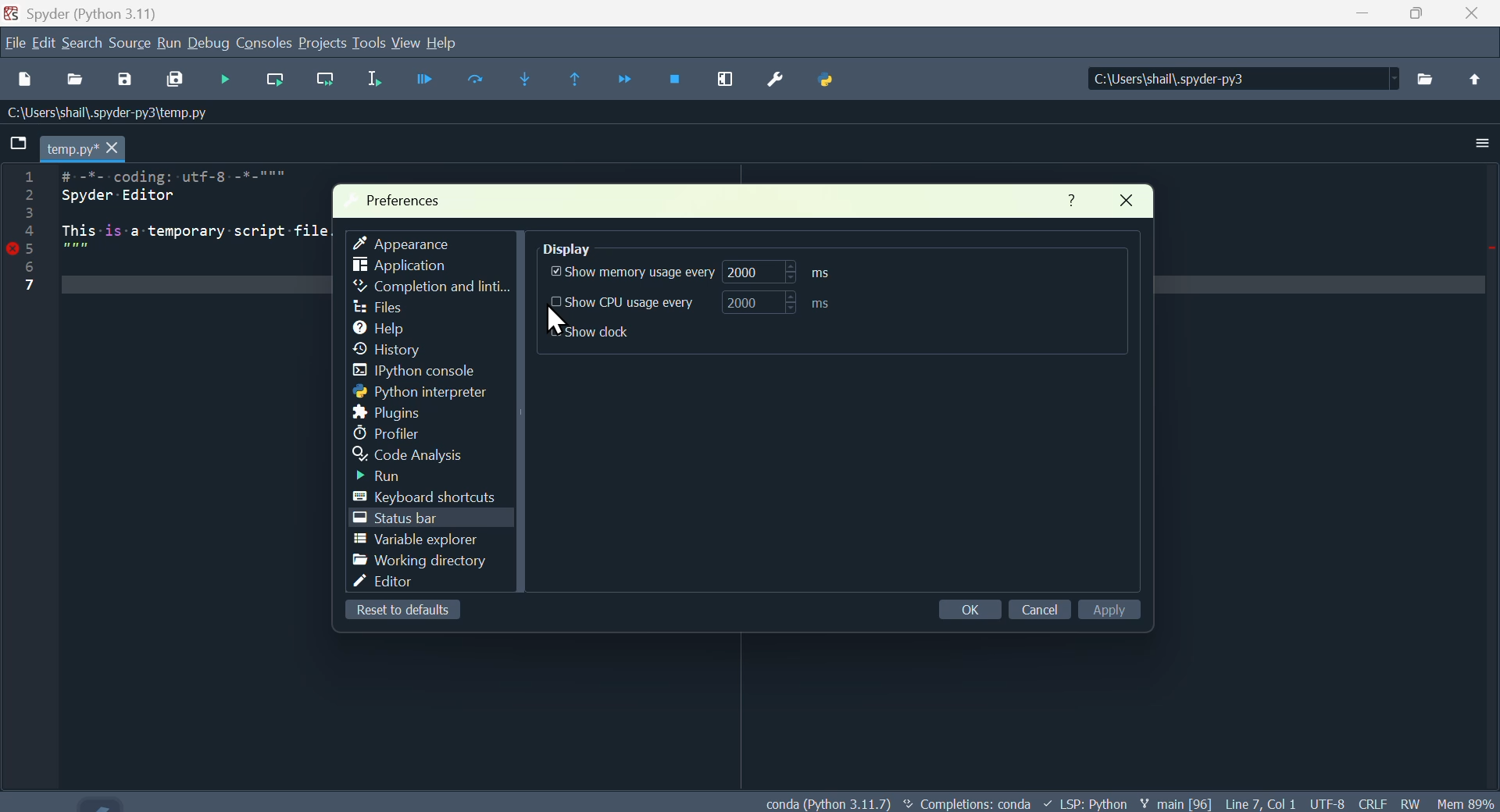 This screenshot has height=812, width=1500. I want to click on Okay, so click(966, 607).